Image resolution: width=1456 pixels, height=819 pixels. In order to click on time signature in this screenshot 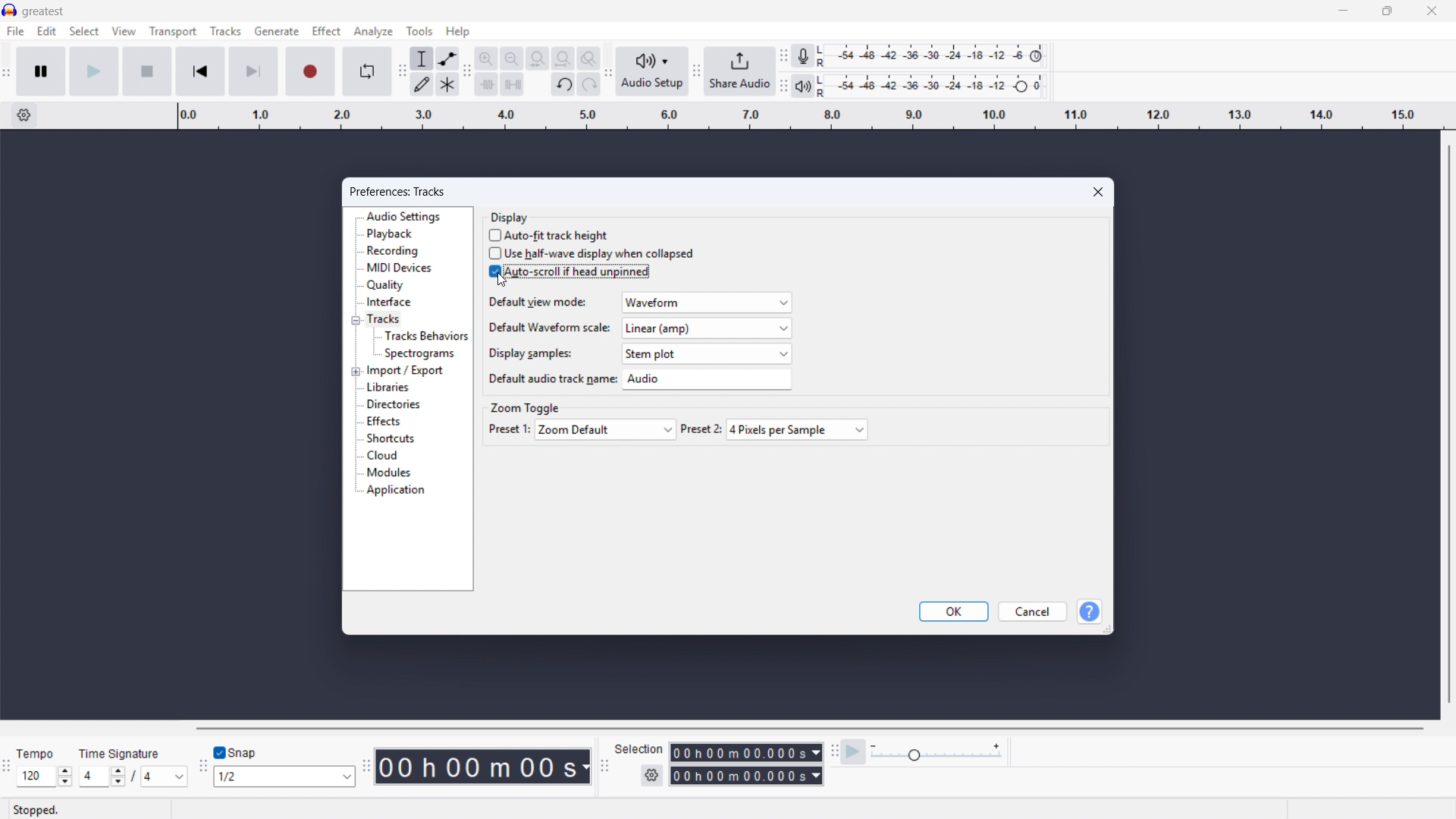, I will do `click(121, 754)`.